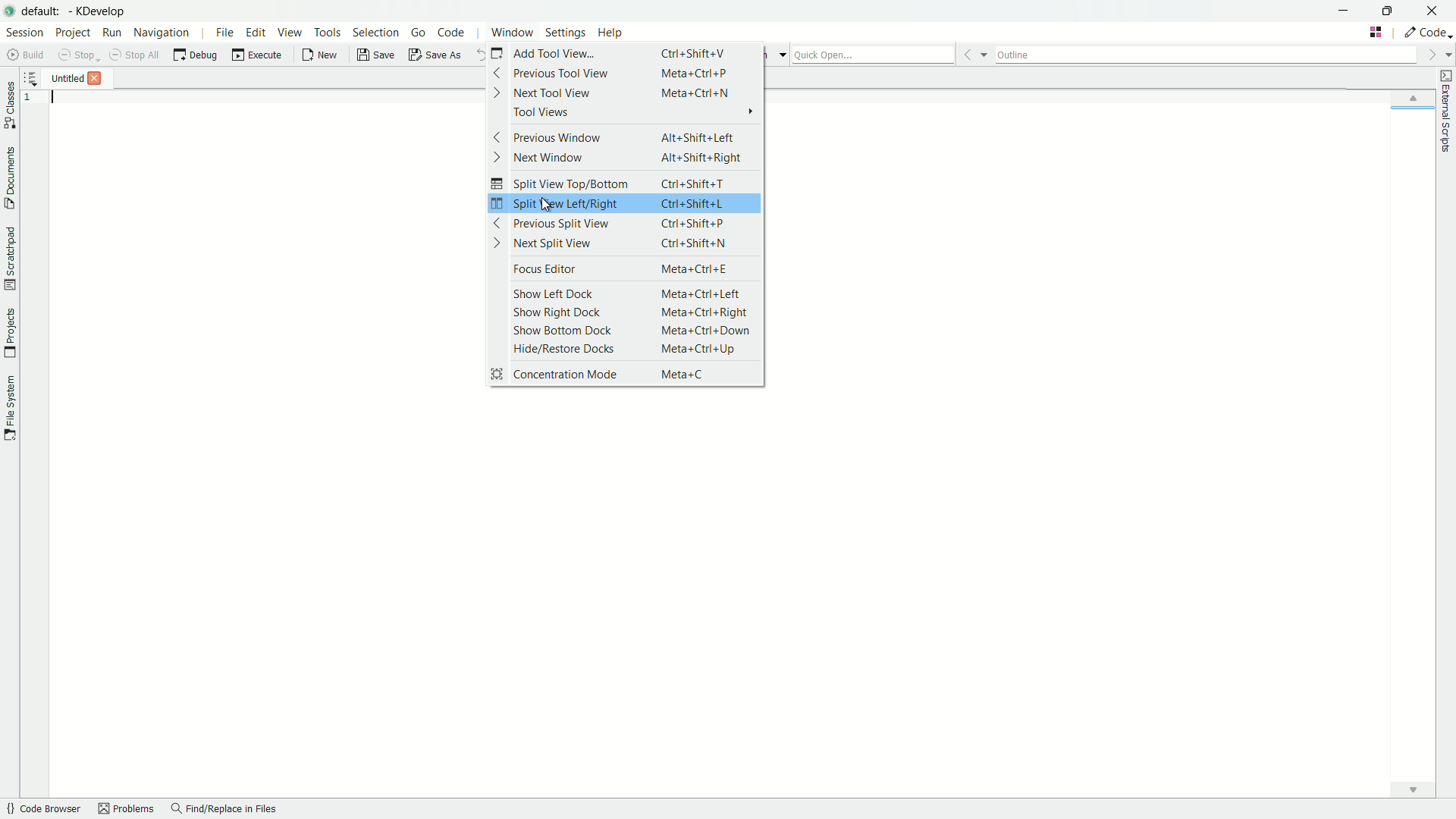 The height and width of the screenshot is (819, 1456). I want to click on save, so click(375, 54).